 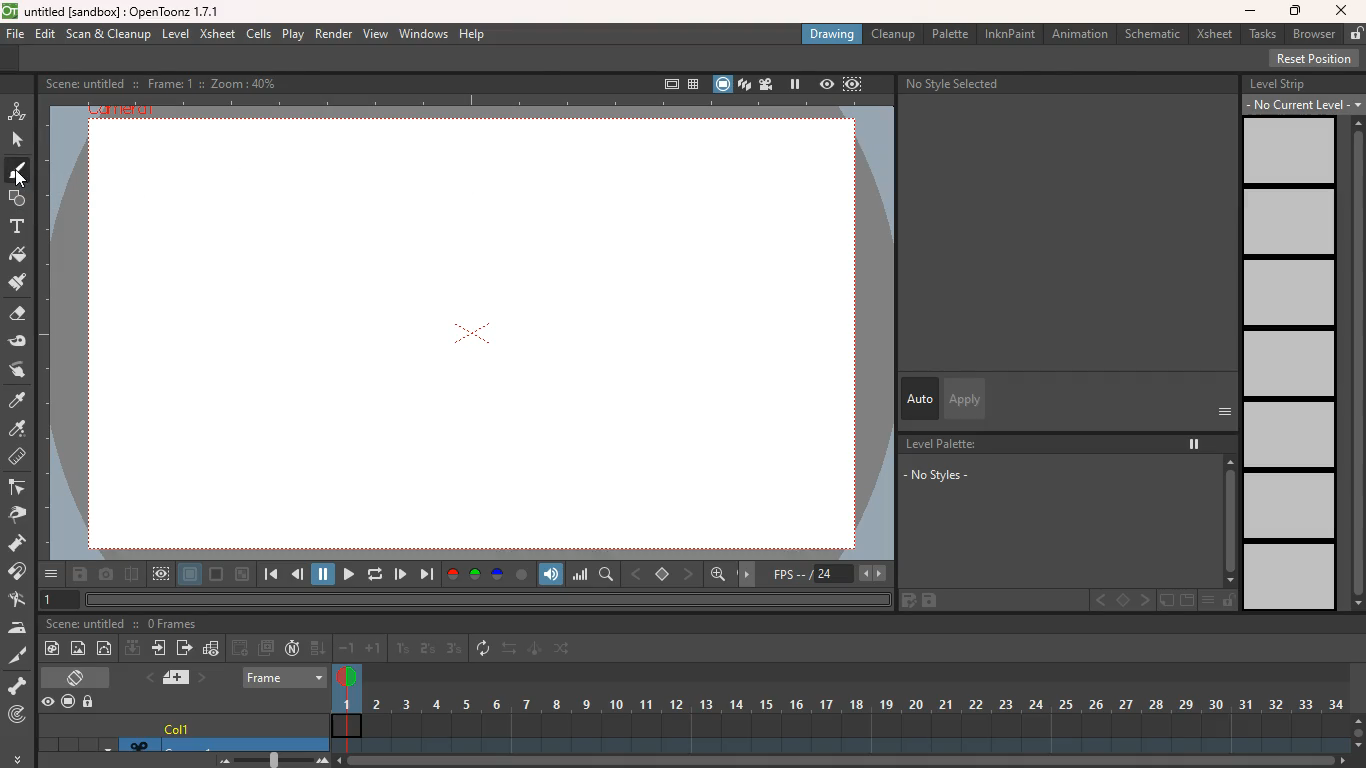 I want to click on help, so click(x=474, y=35).